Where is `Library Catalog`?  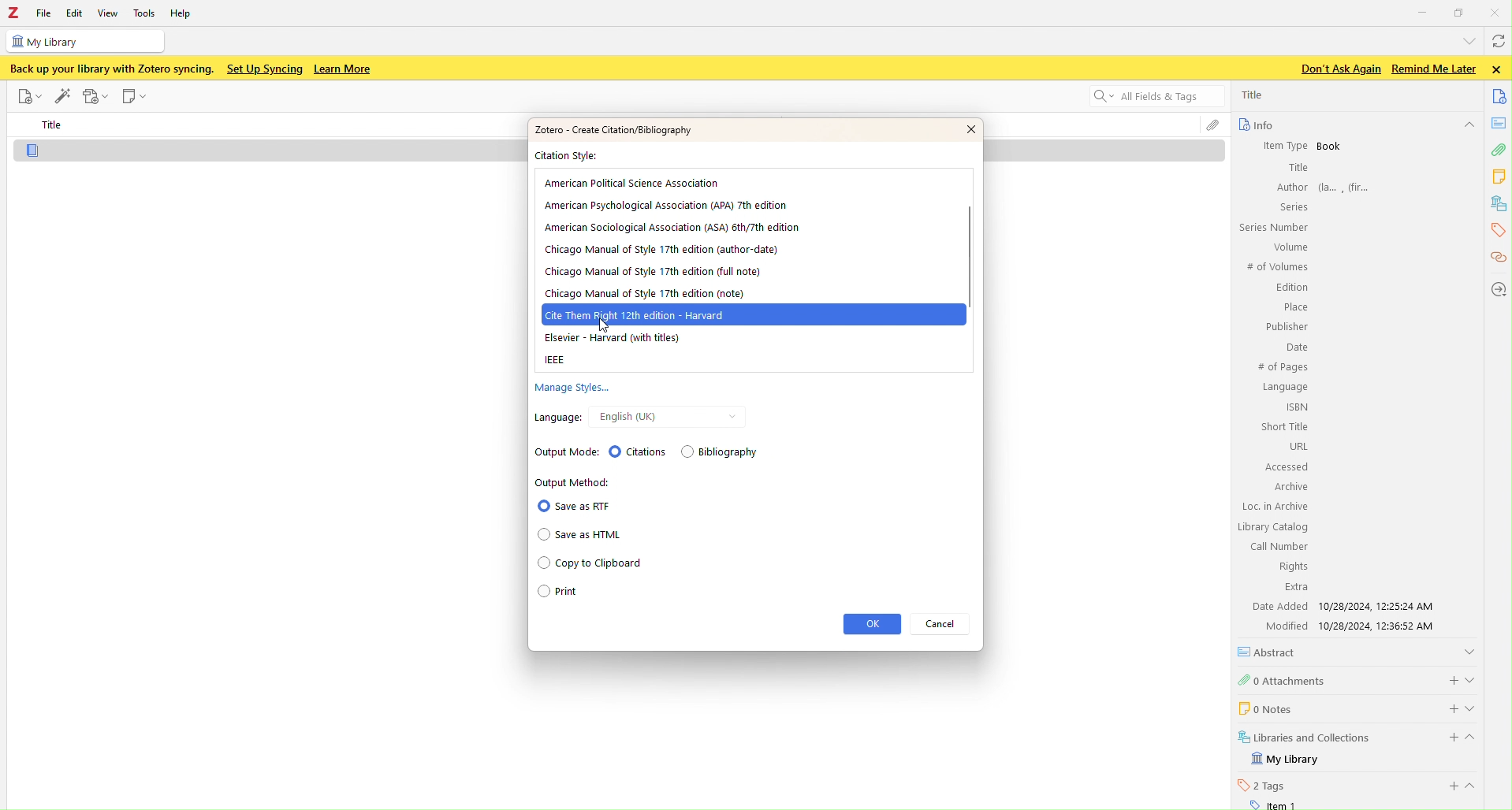
Library Catalog is located at coordinates (1274, 527).